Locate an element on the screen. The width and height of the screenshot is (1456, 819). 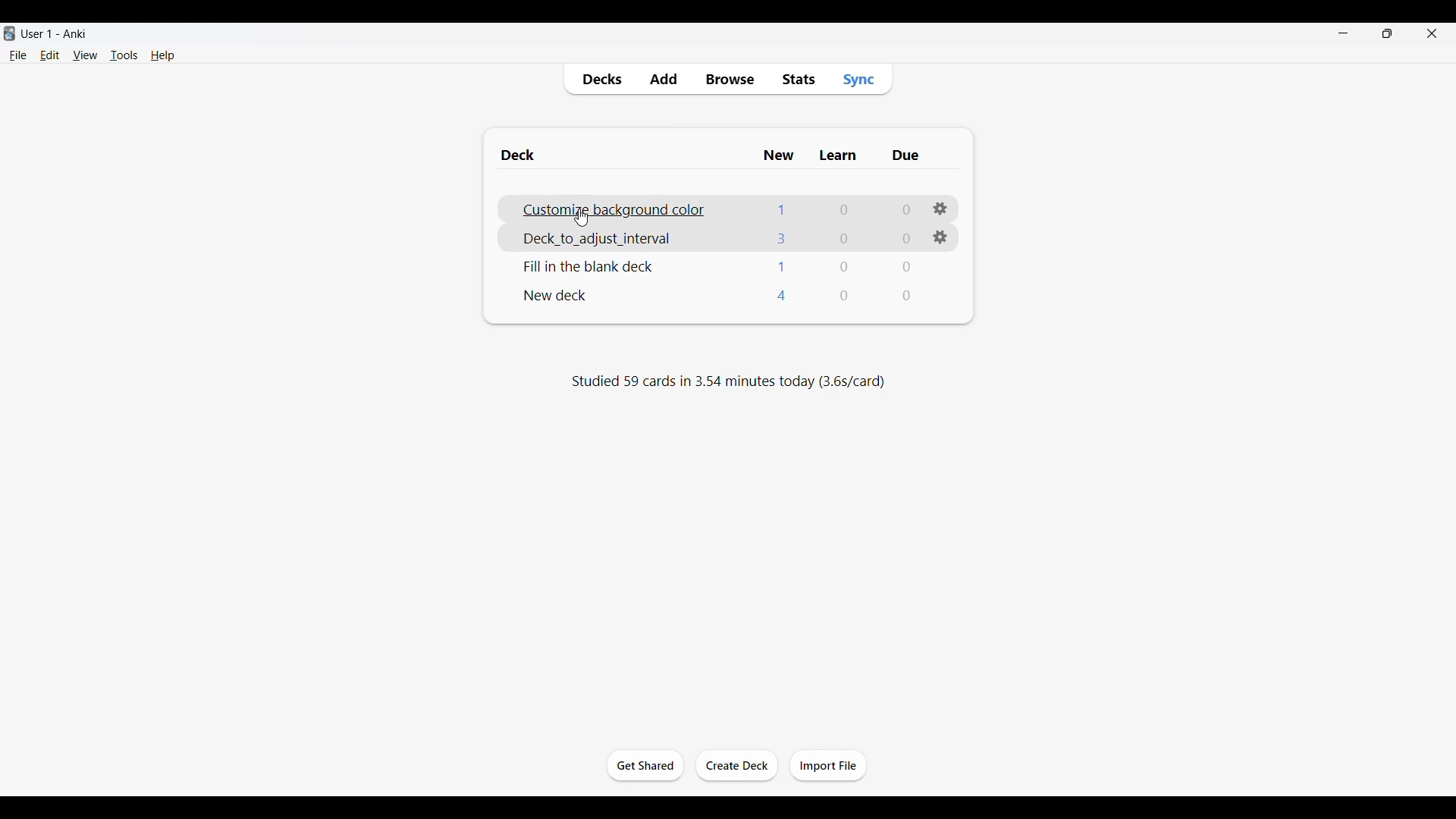
Cursor is located at coordinates (581, 218).